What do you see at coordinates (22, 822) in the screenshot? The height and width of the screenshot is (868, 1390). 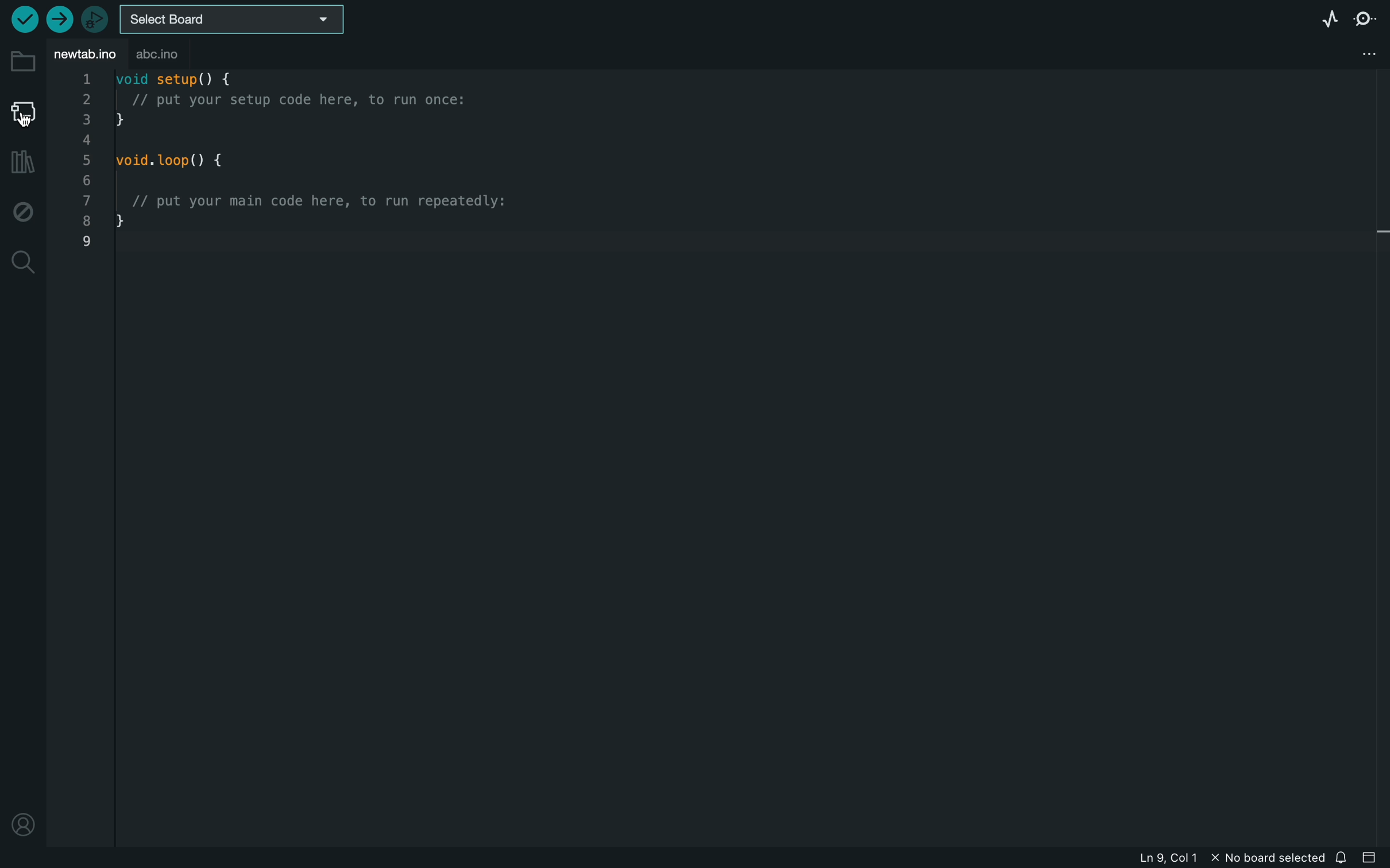 I see `profile` at bounding box center [22, 822].